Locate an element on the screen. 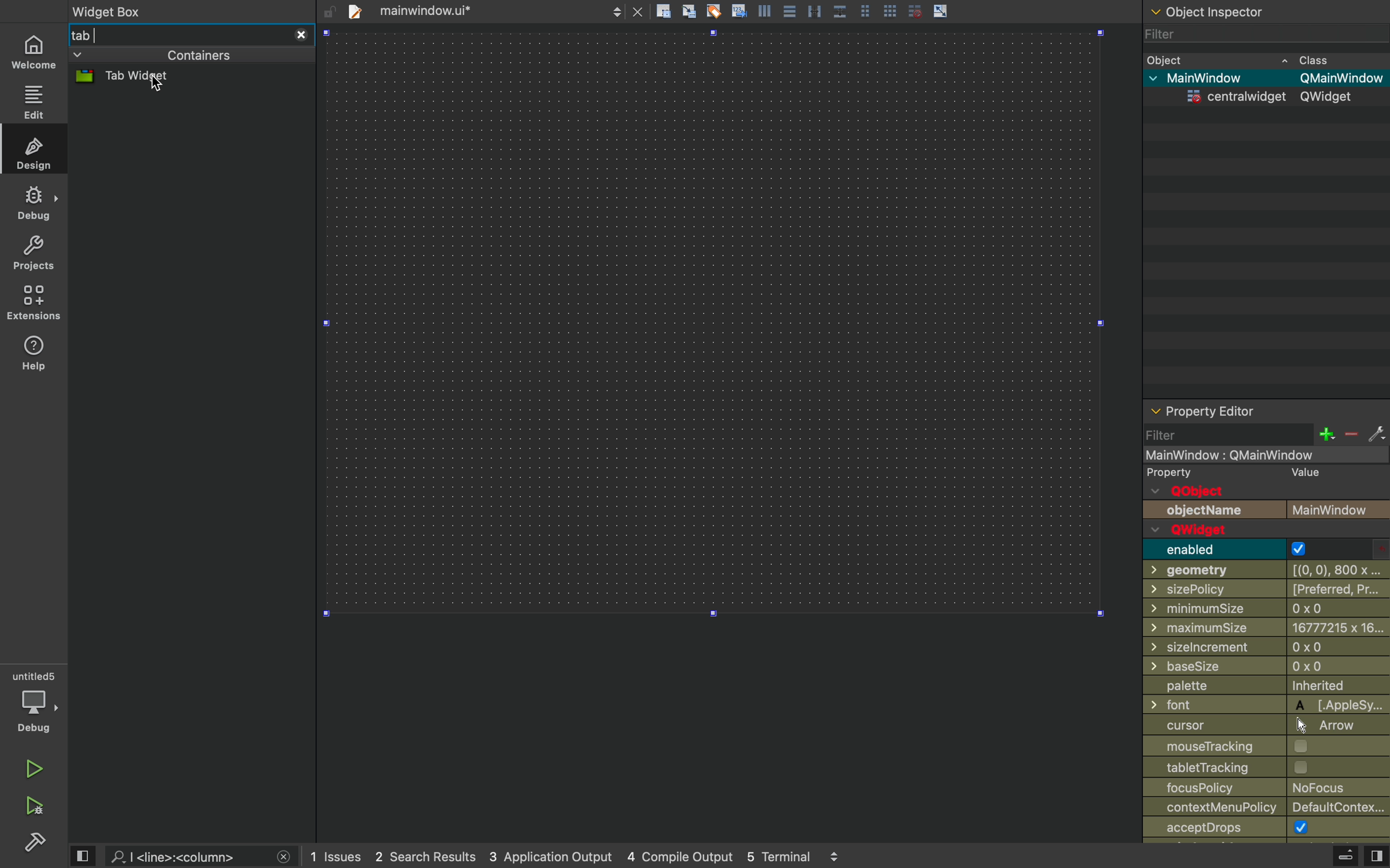  minus is located at coordinates (1350, 435).